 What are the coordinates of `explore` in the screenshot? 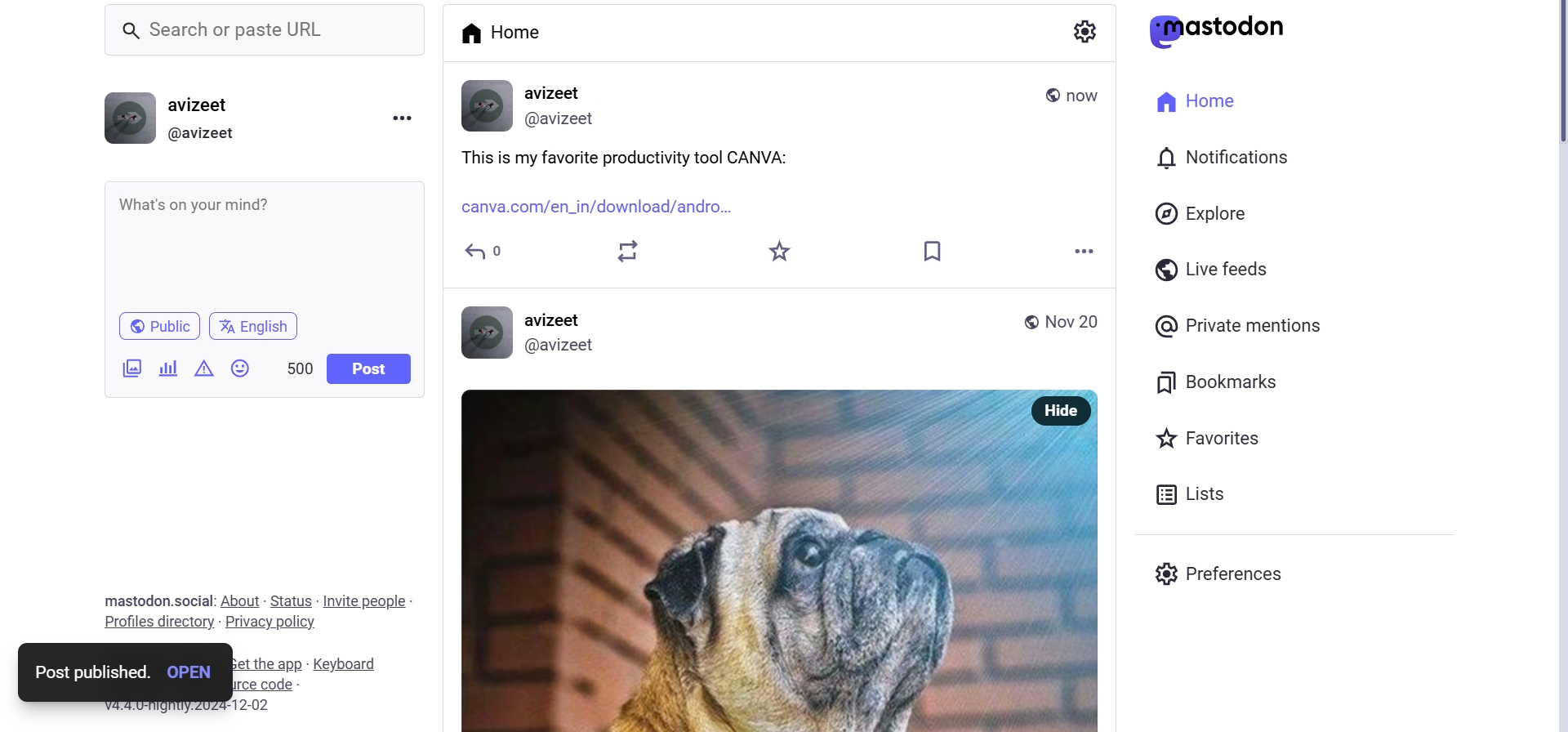 It's located at (1214, 217).